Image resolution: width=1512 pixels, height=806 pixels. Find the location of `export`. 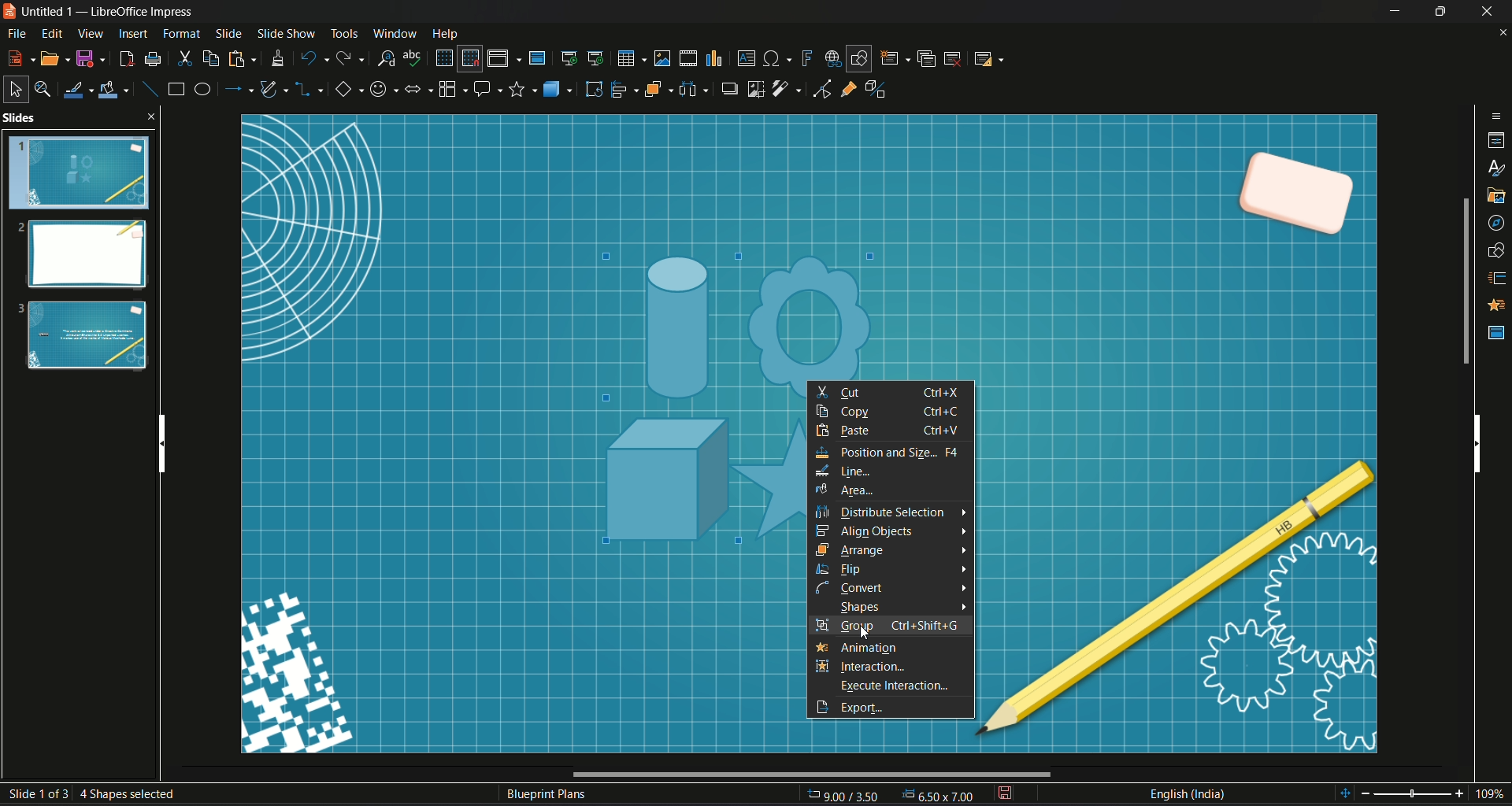

export is located at coordinates (823, 707).